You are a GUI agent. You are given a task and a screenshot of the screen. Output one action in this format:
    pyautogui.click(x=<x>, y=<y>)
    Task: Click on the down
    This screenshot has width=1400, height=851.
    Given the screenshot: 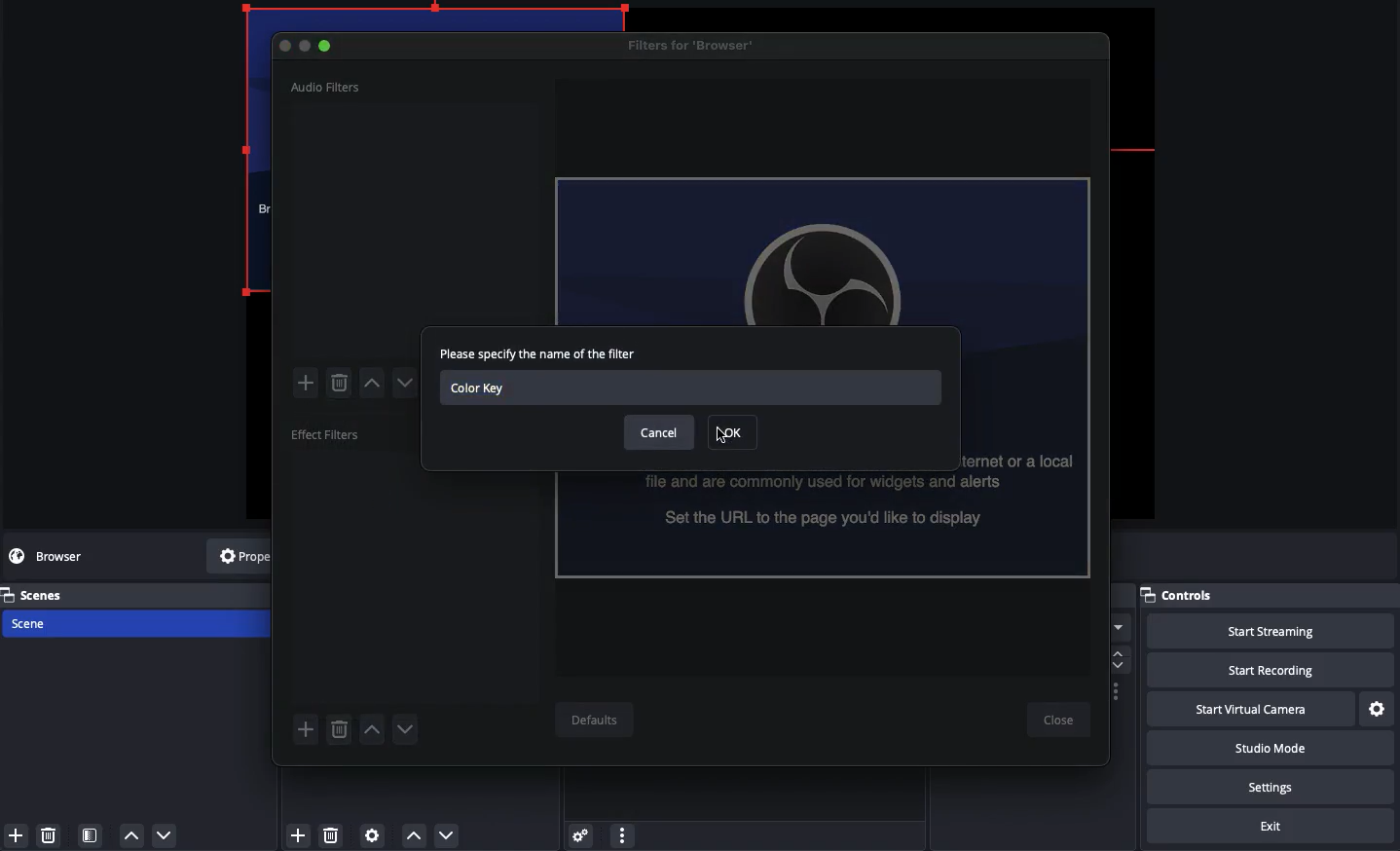 What is the action you would take?
    pyautogui.click(x=406, y=728)
    